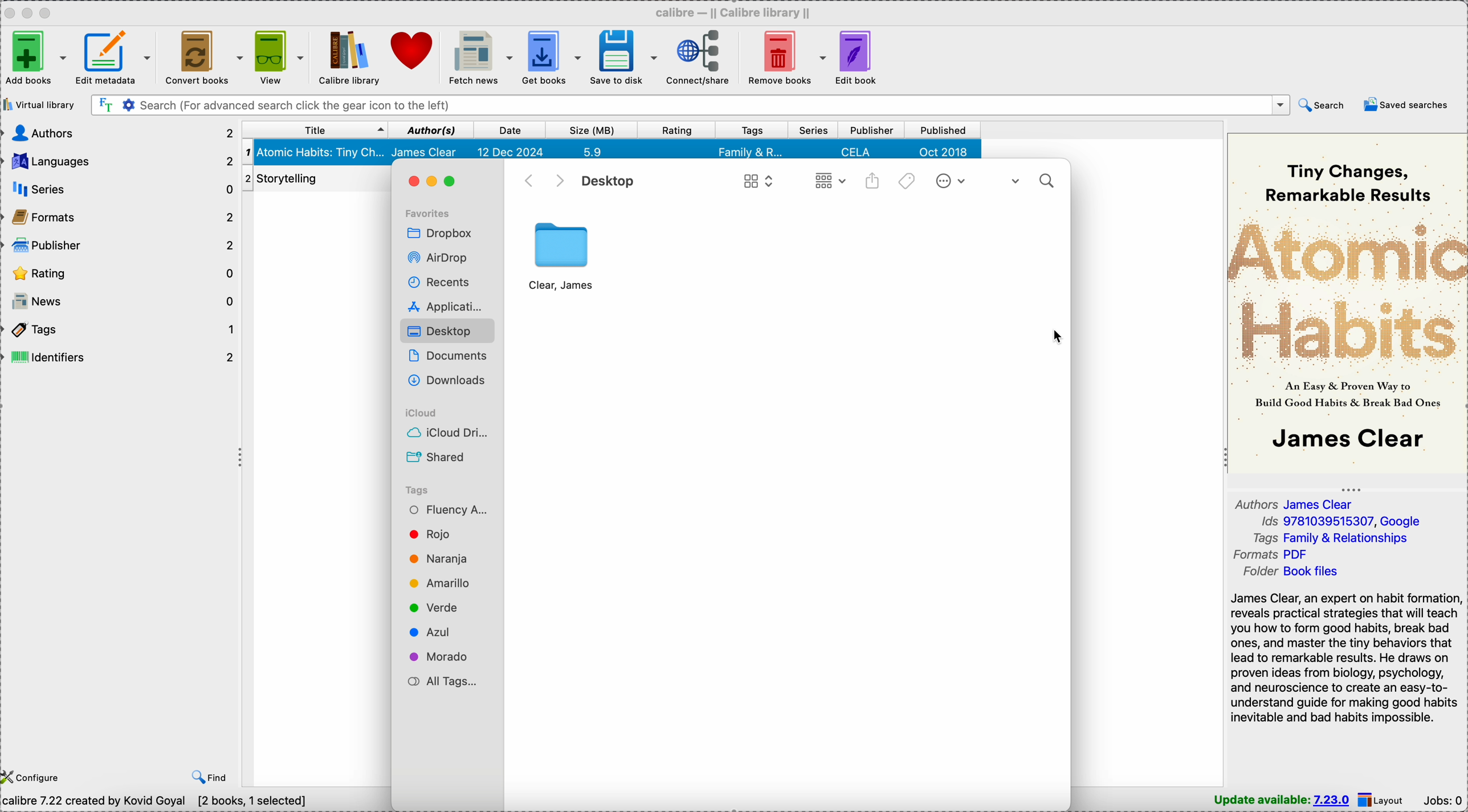 Image resolution: width=1468 pixels, height=812 pixels. Describe the element at coordinates (1341, 521) in the screenshot. I see `Ids 9781039515307, Google` at that location.